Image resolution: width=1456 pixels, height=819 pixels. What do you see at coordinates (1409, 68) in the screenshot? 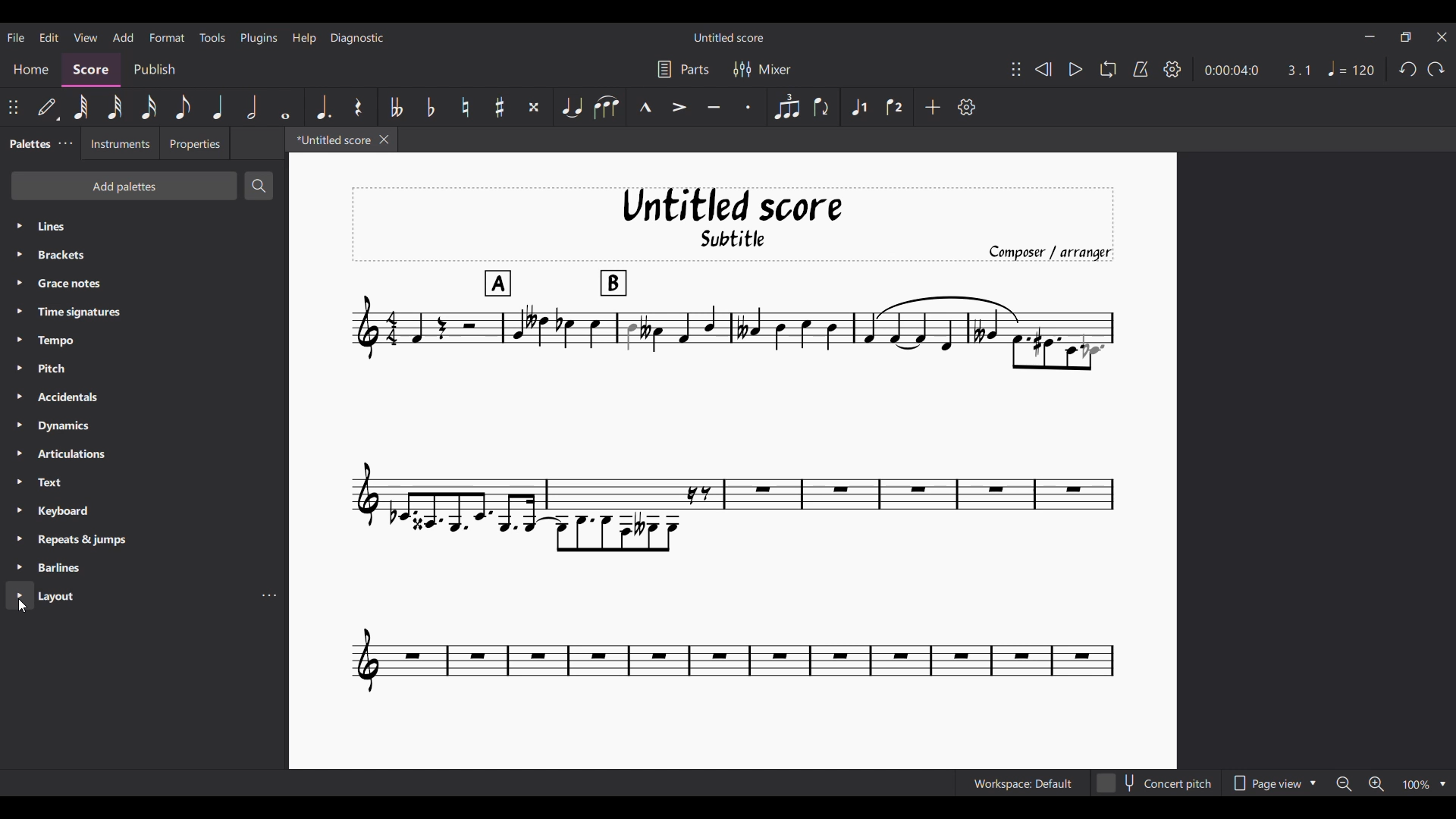
I see `Undo` at bounding box center [1409, 68].